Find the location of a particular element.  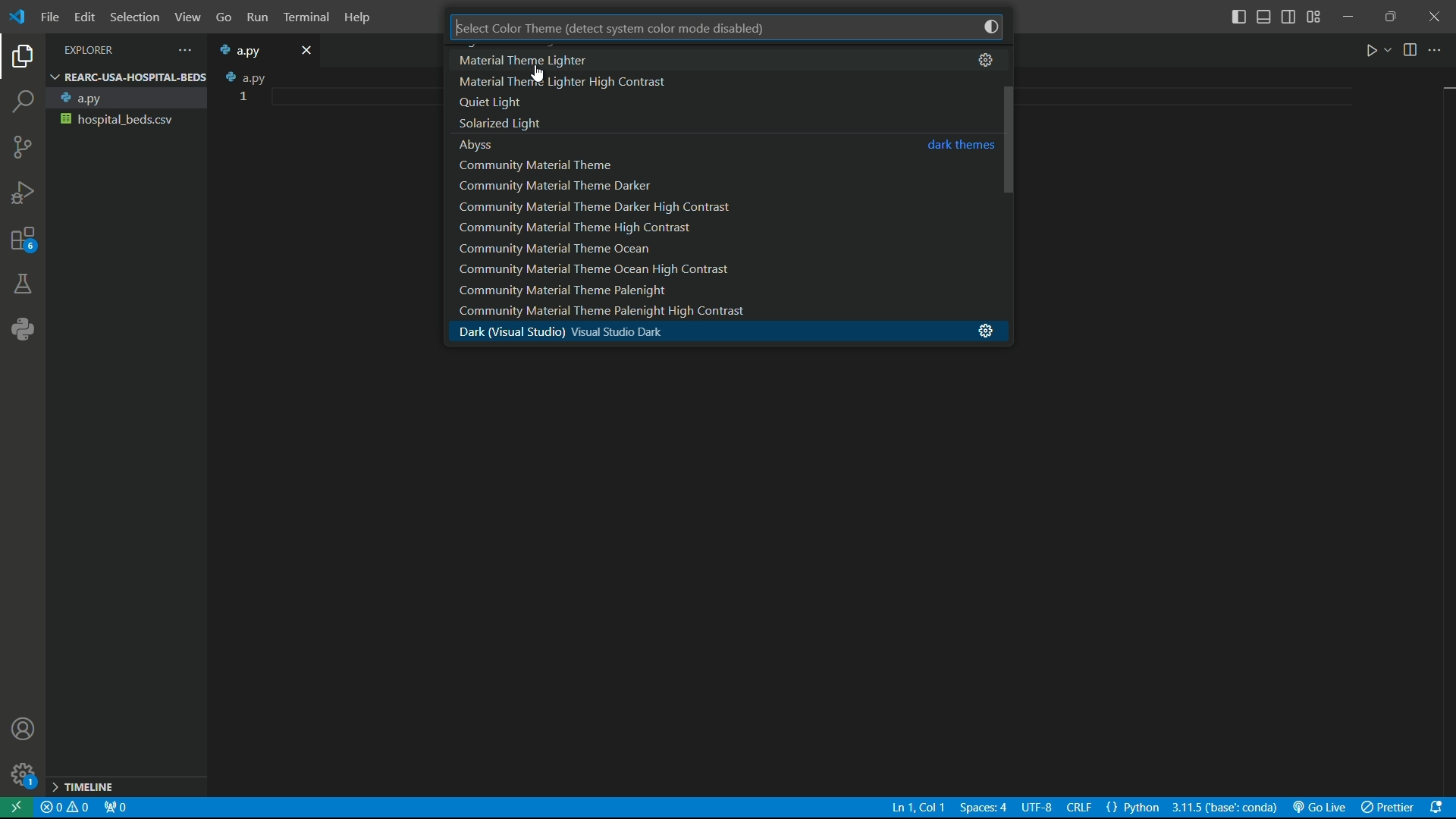

dark theme: is located at coordinates (960, 146).